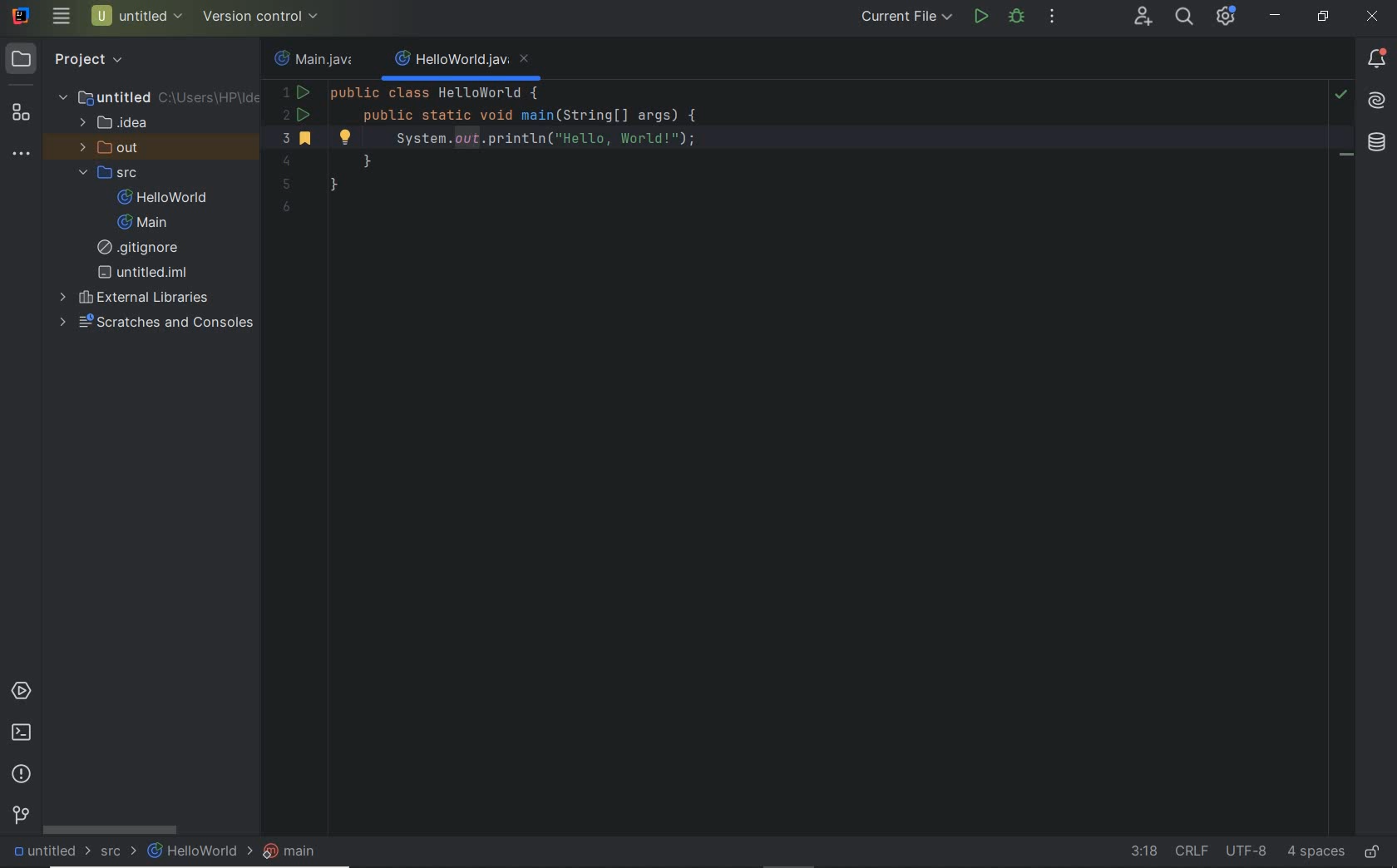  What do you see at coordinates (1374, 849) in the screenshot?
I see `Edit or read only` at bounding box center [1374, 849].